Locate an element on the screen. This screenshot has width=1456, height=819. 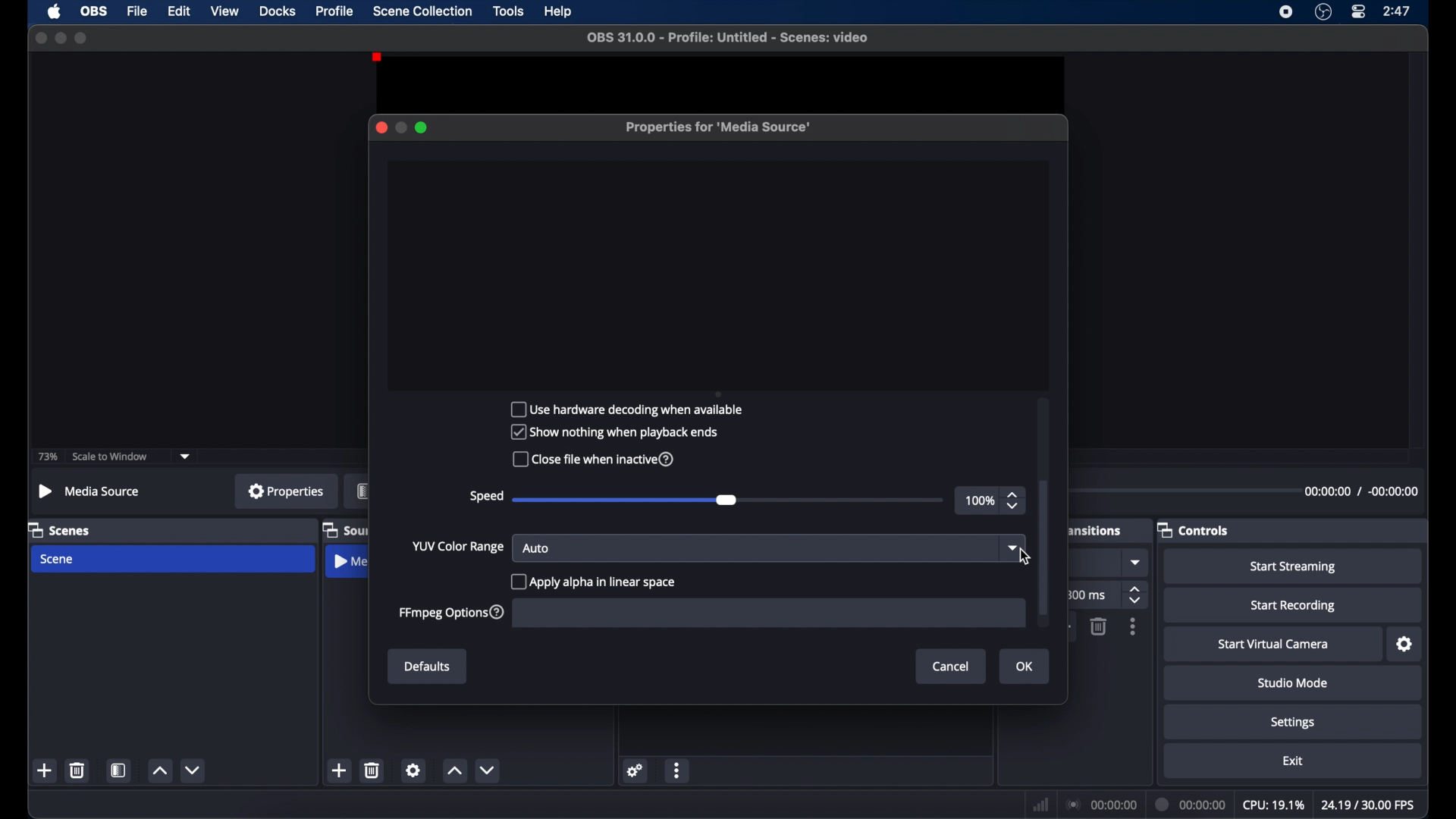
Use hardware decoding when available is located at coordinates (631, 409).